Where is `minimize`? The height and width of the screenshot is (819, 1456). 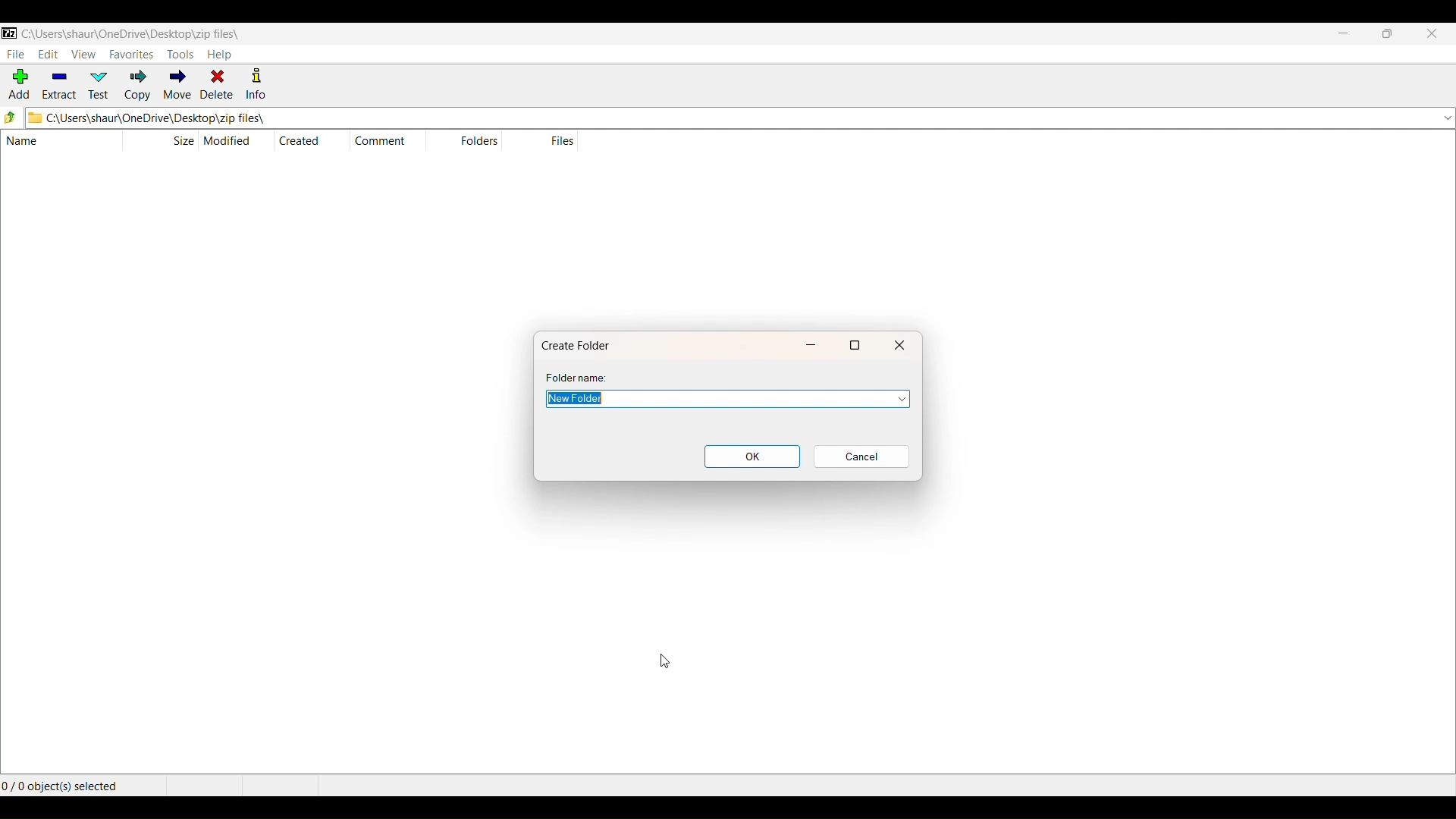
minimize is located at coordinates (814, 344).